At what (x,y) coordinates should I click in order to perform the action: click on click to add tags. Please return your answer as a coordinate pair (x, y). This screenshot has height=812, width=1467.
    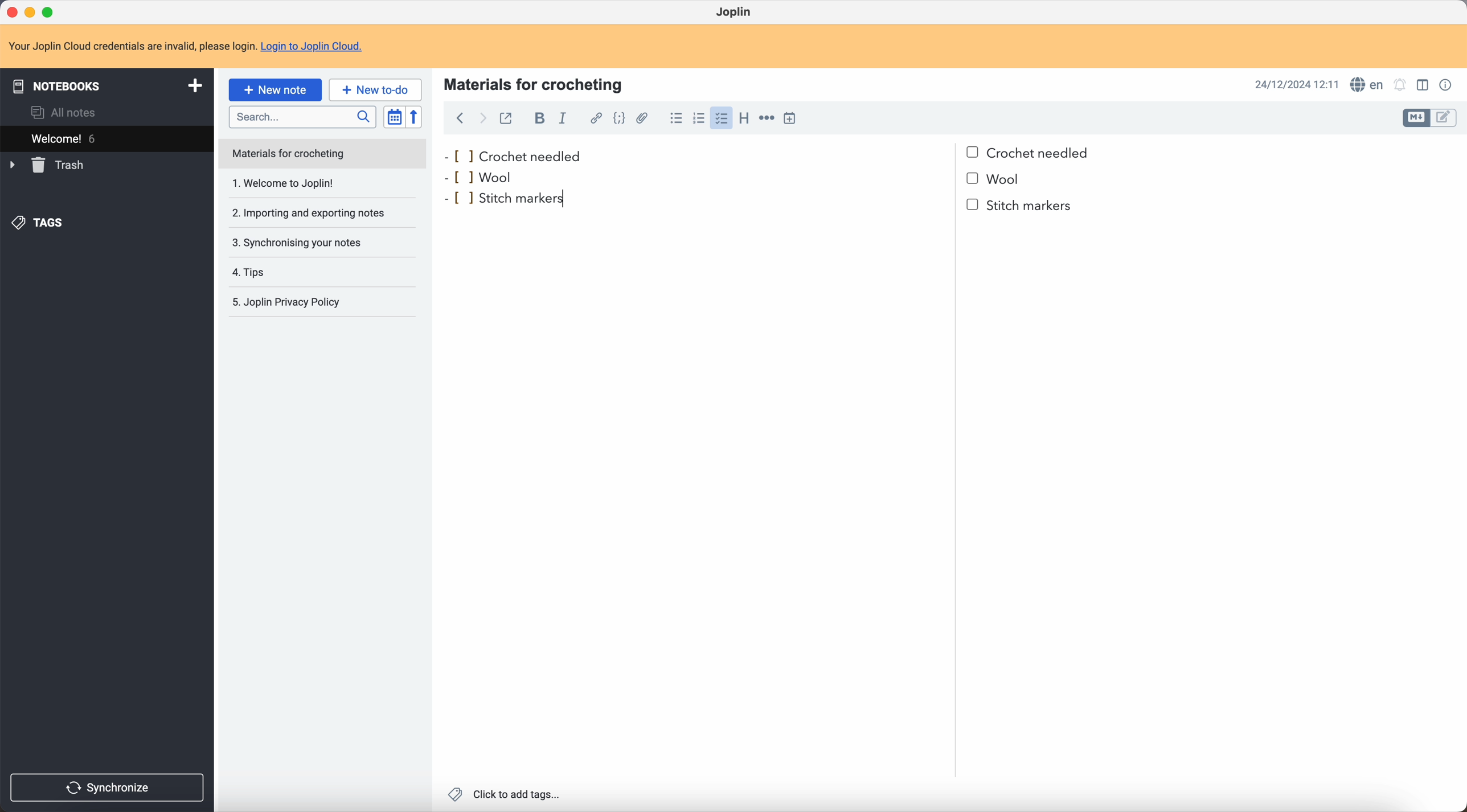
    Looking at the image, I should click on (506, 795).